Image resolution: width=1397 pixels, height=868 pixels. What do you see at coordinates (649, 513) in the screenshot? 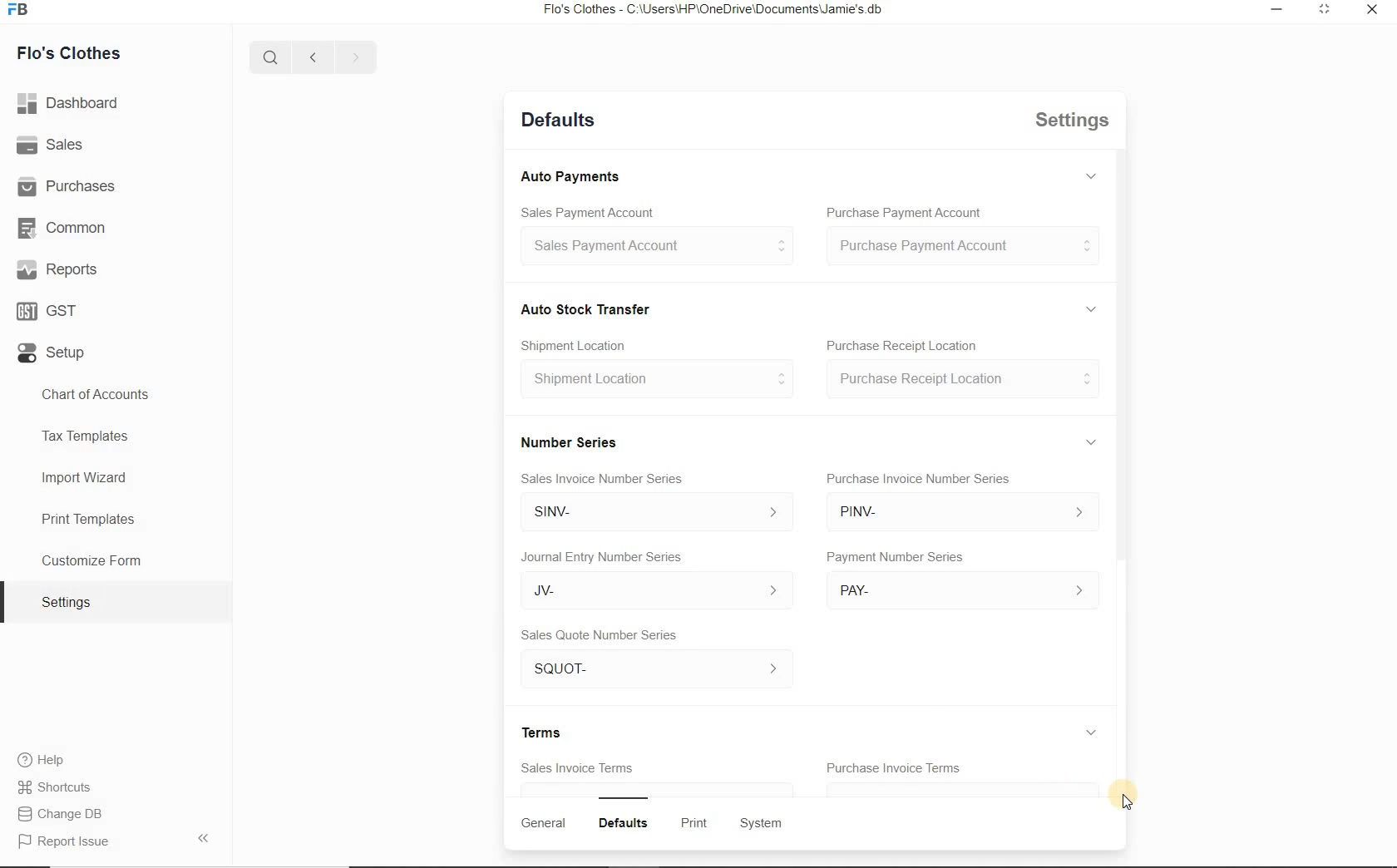
I see `SINV` at bounding box center [649, 513].